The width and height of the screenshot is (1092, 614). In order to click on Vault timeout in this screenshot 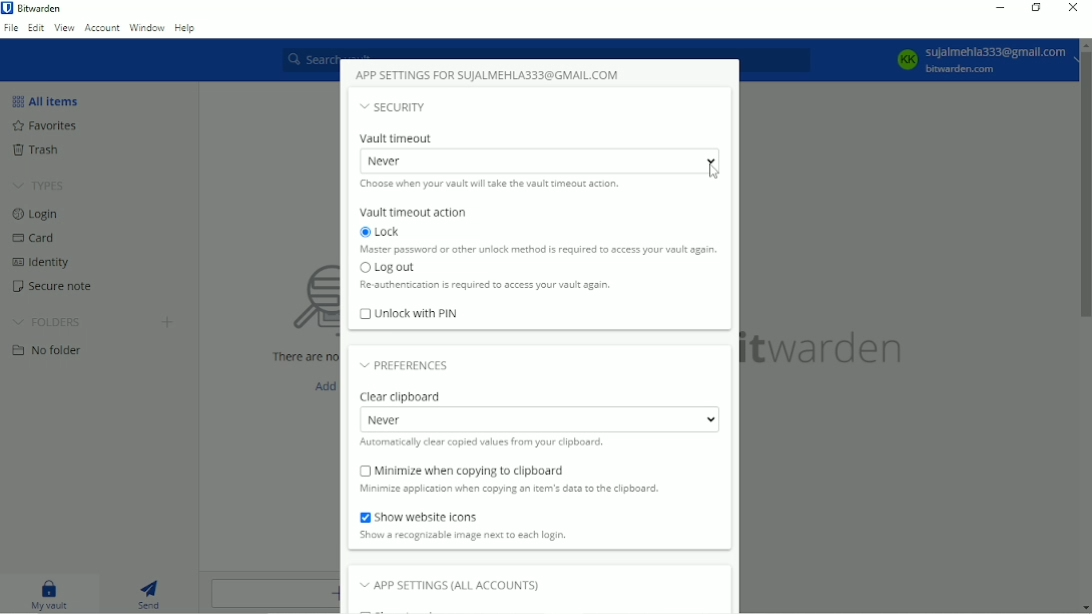, I will do `click(399, 138)`.